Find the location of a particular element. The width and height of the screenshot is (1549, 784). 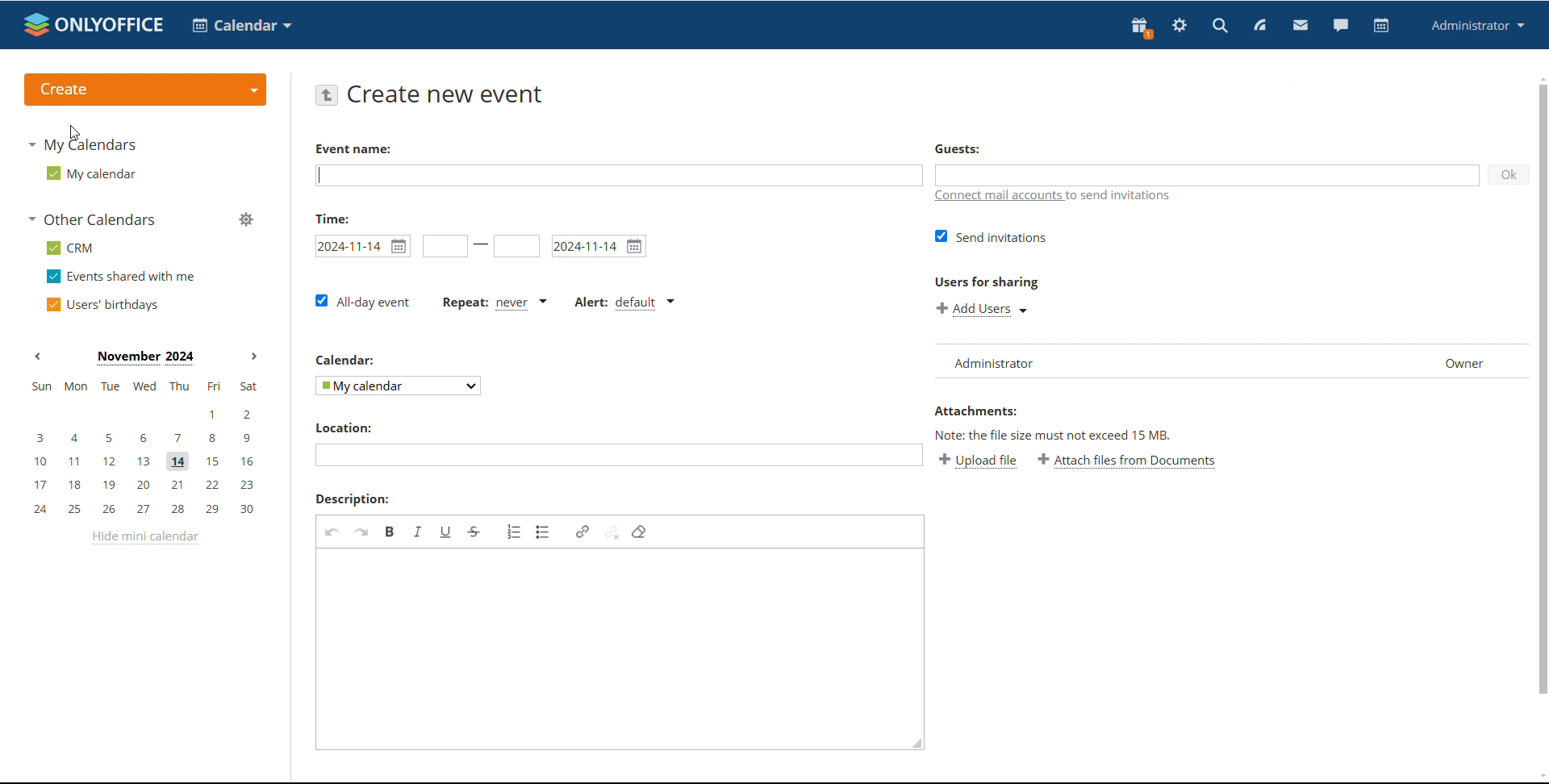

scroll up is located at coordinates (1539, 77).